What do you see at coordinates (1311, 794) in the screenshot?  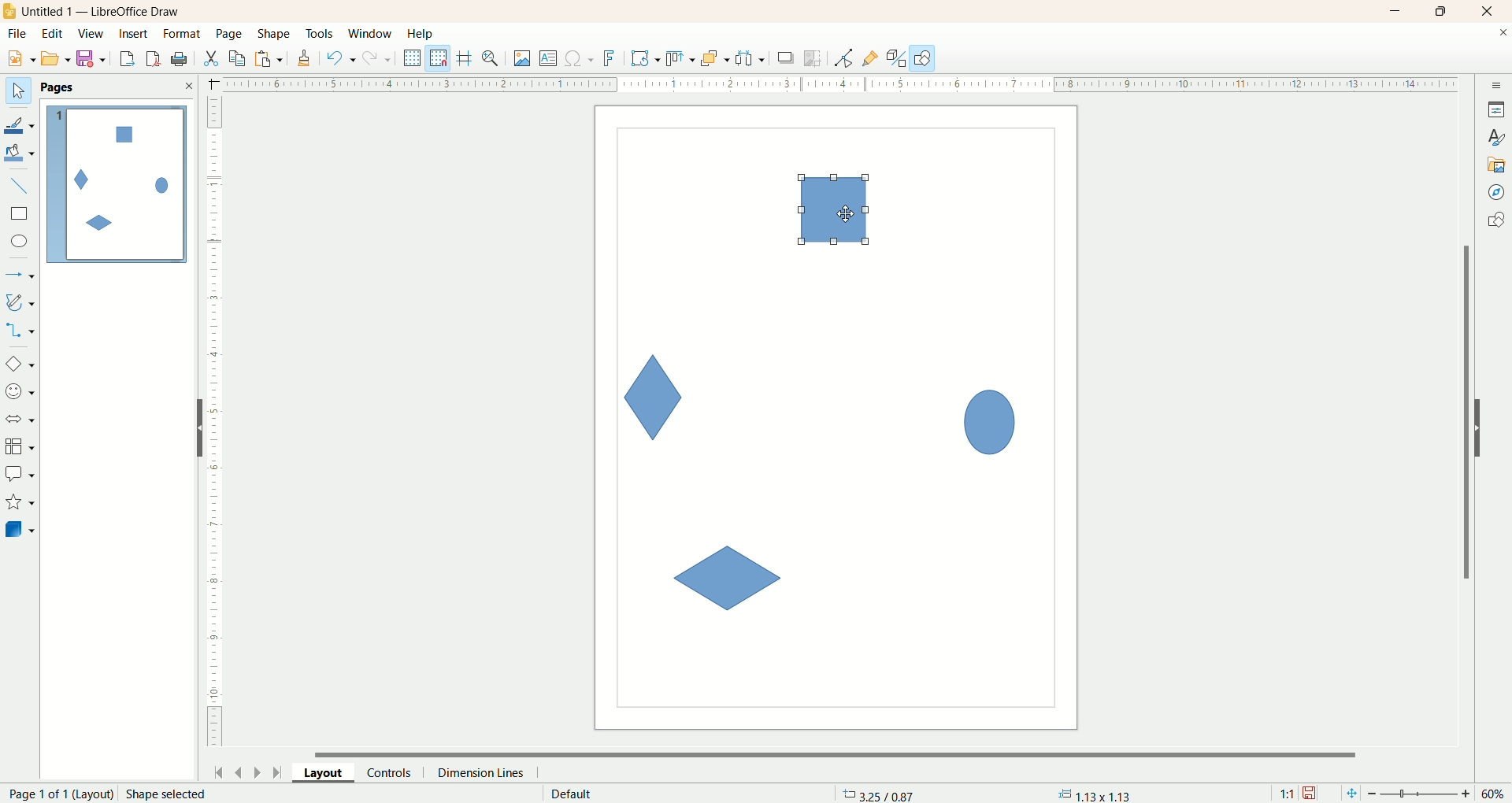 I see `save` at bounding box center [1311, 794].